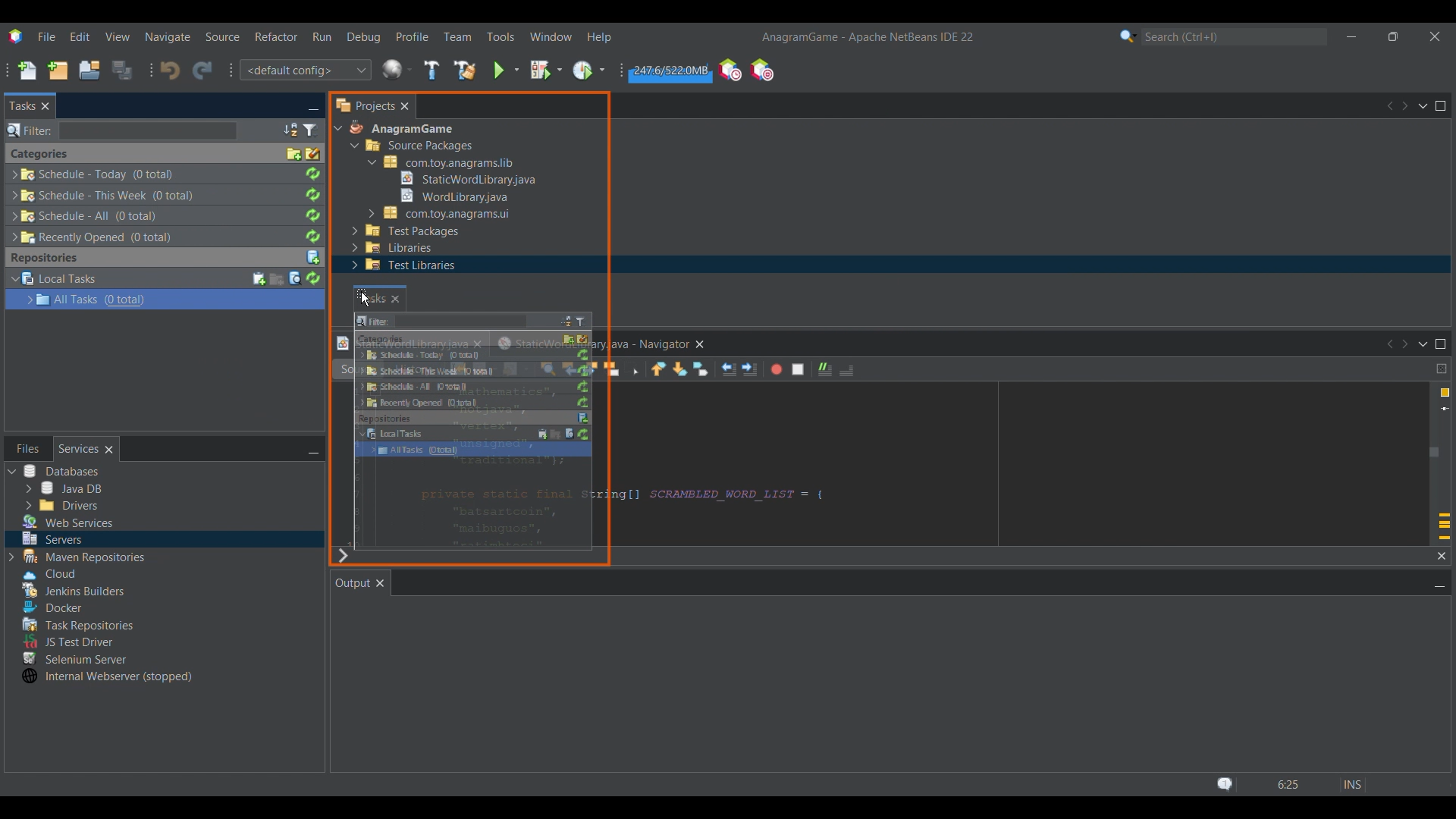 This screenshot has width=1456, height=819. What do you see at coordinates (362, 297) in the screenshot?
I see `cursor` at bounding box center [362, 297].